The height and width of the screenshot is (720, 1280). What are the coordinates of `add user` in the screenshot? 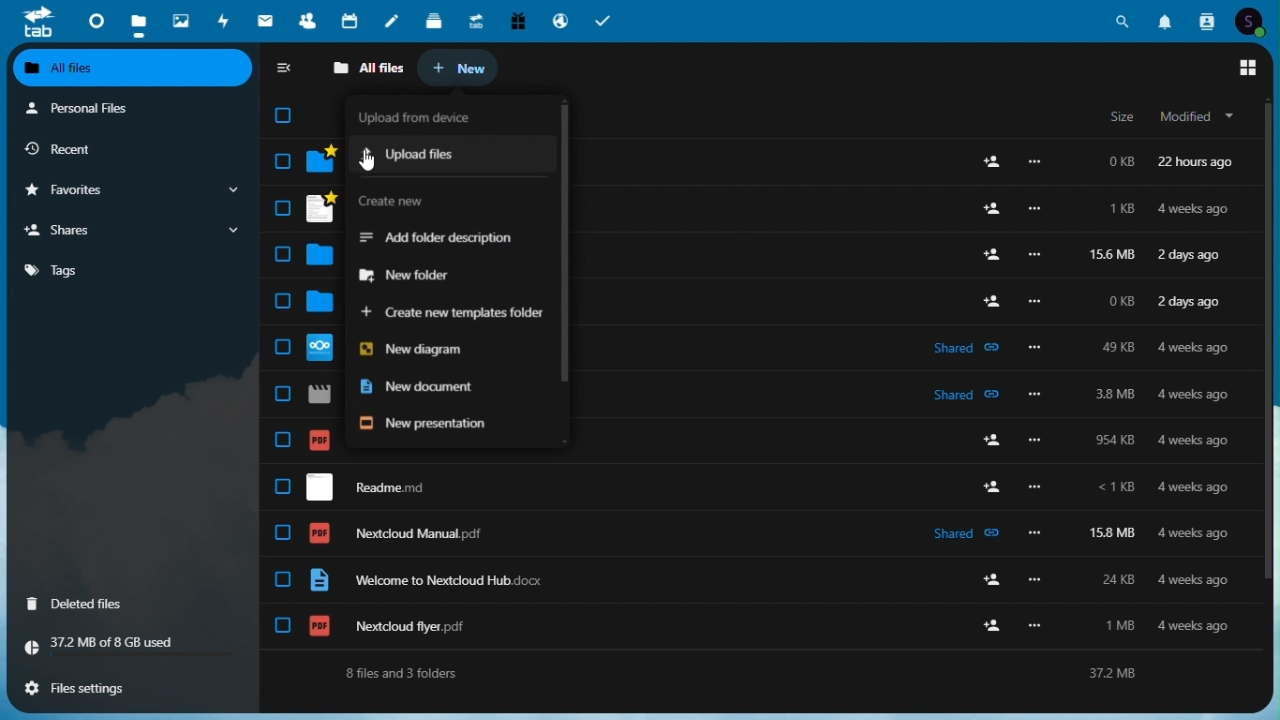 It's located at (988, 254).